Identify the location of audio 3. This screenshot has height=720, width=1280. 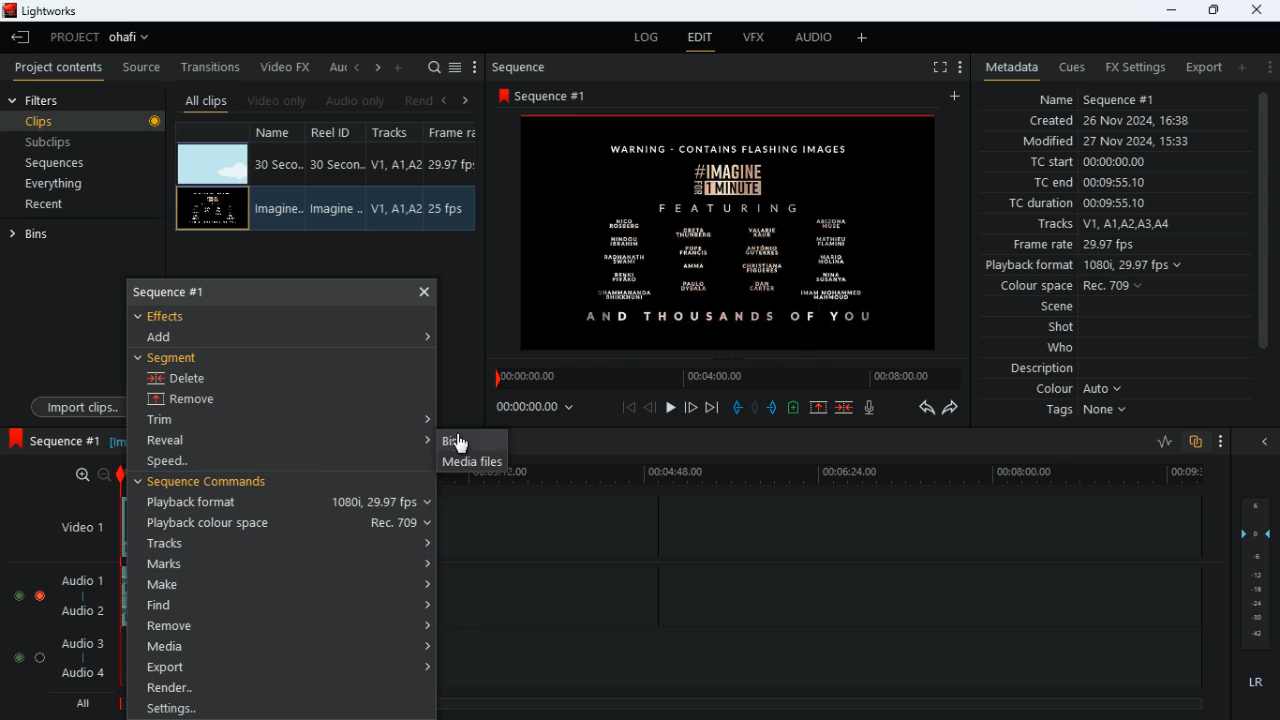
(84, 644).